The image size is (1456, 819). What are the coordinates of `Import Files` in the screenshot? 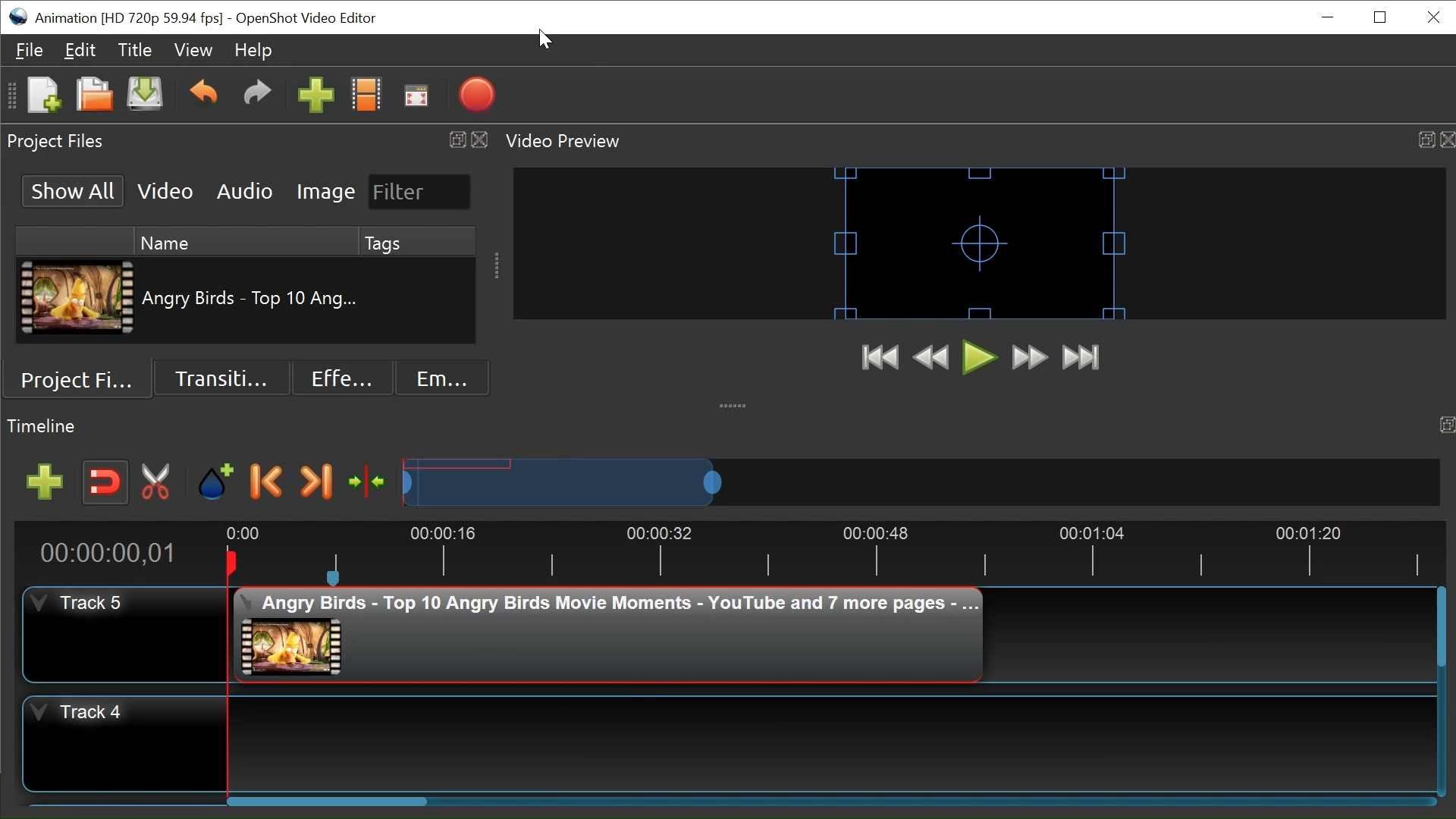 It's located at (316, 98).